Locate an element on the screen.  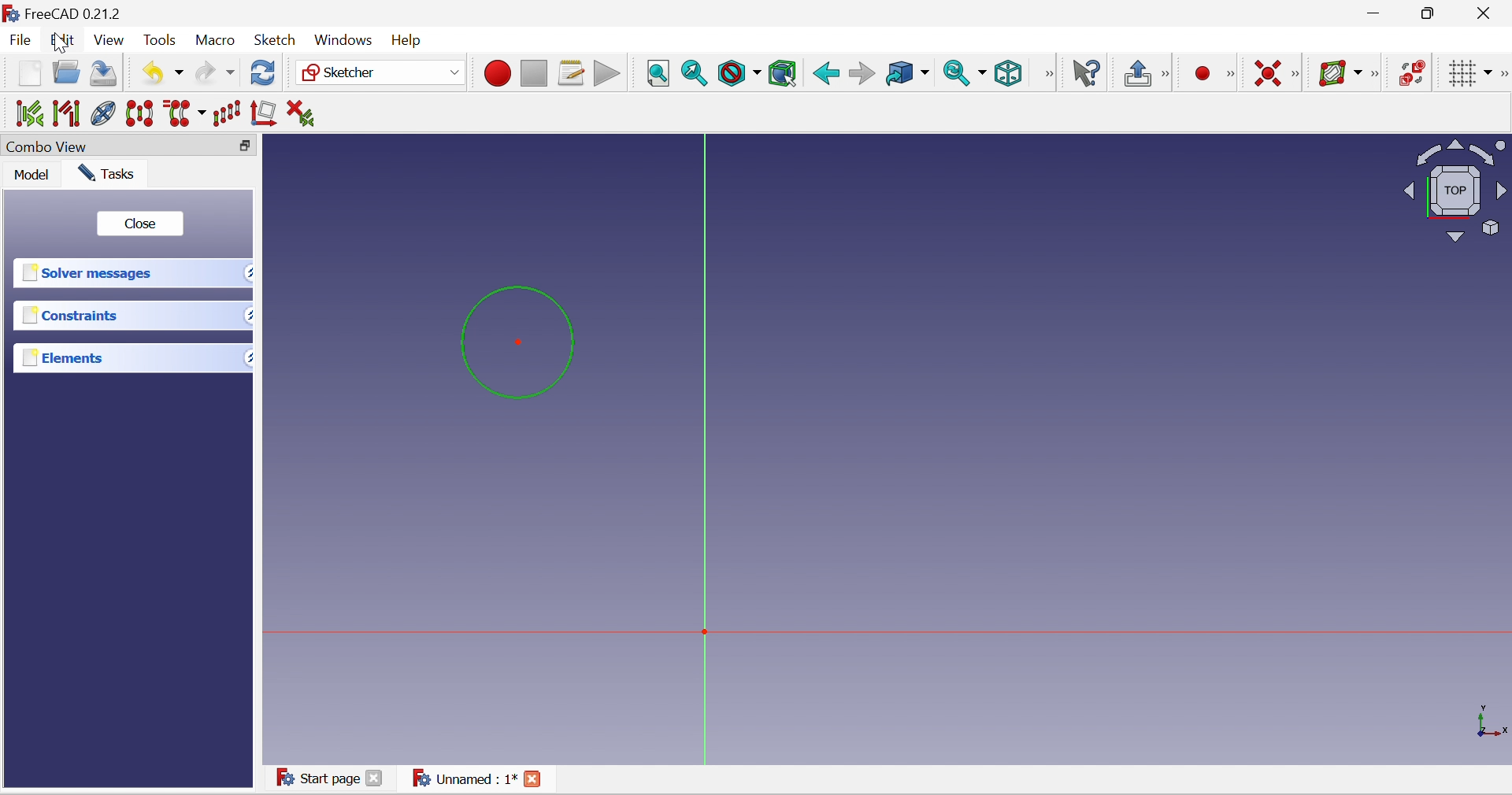
Macro recording is located at coordinates (495, 72).